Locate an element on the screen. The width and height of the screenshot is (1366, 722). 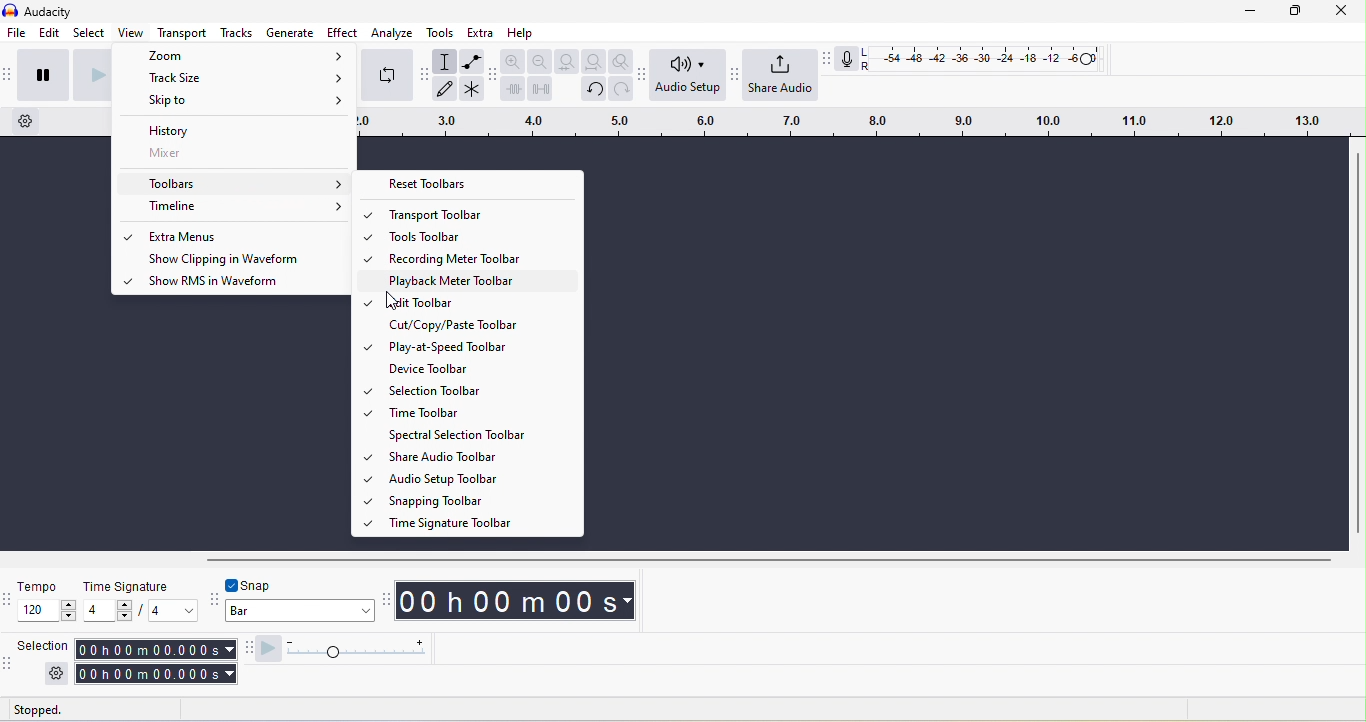
Recording metre toolbar is located at coordinates (479, 257).